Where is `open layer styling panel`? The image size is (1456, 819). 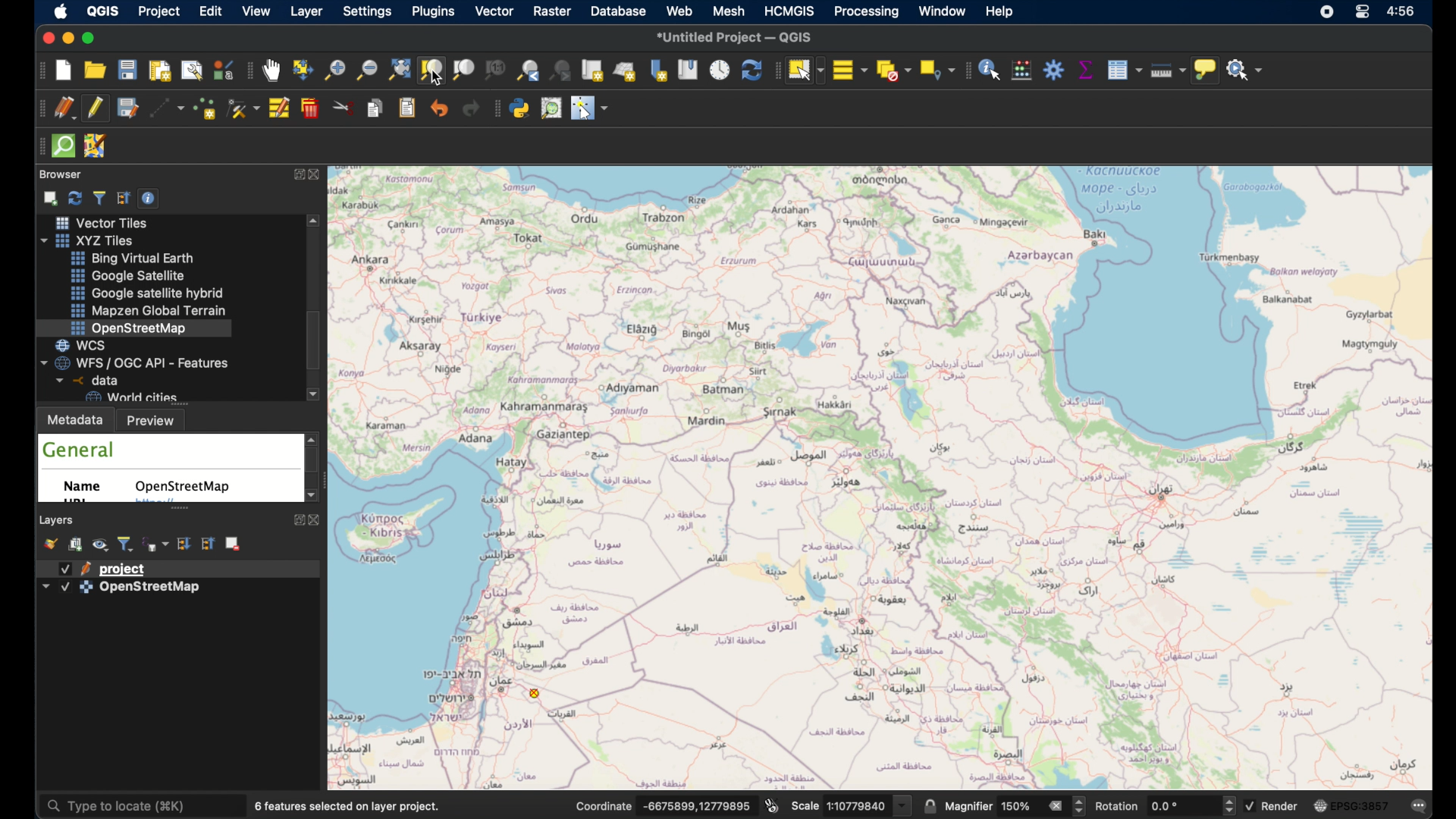
open layer styling panel is located at coordinates (52, 544).